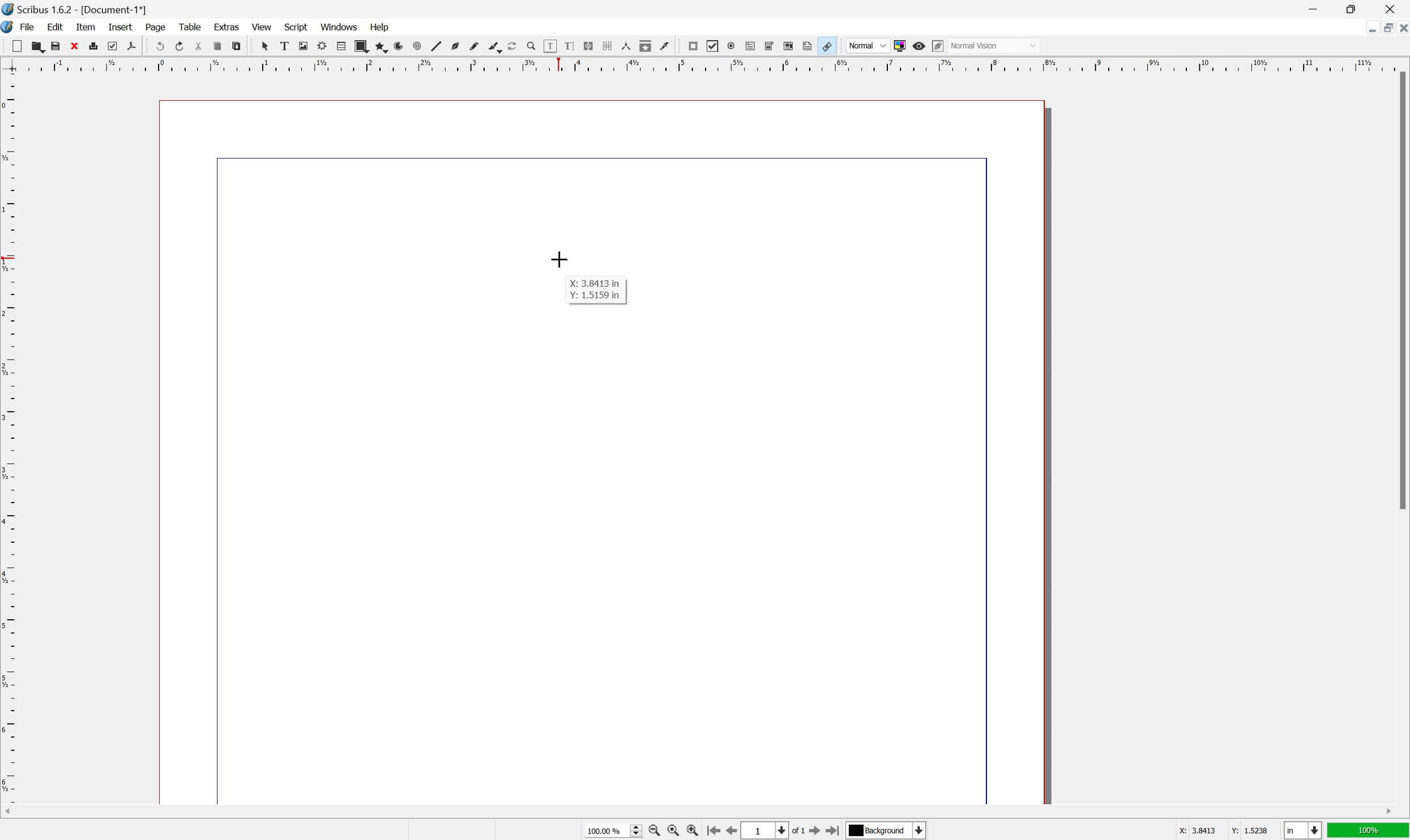  What do you see at coordinates (86, 27) in the screenshot?
I see `item` at bounding box center [86, 27].